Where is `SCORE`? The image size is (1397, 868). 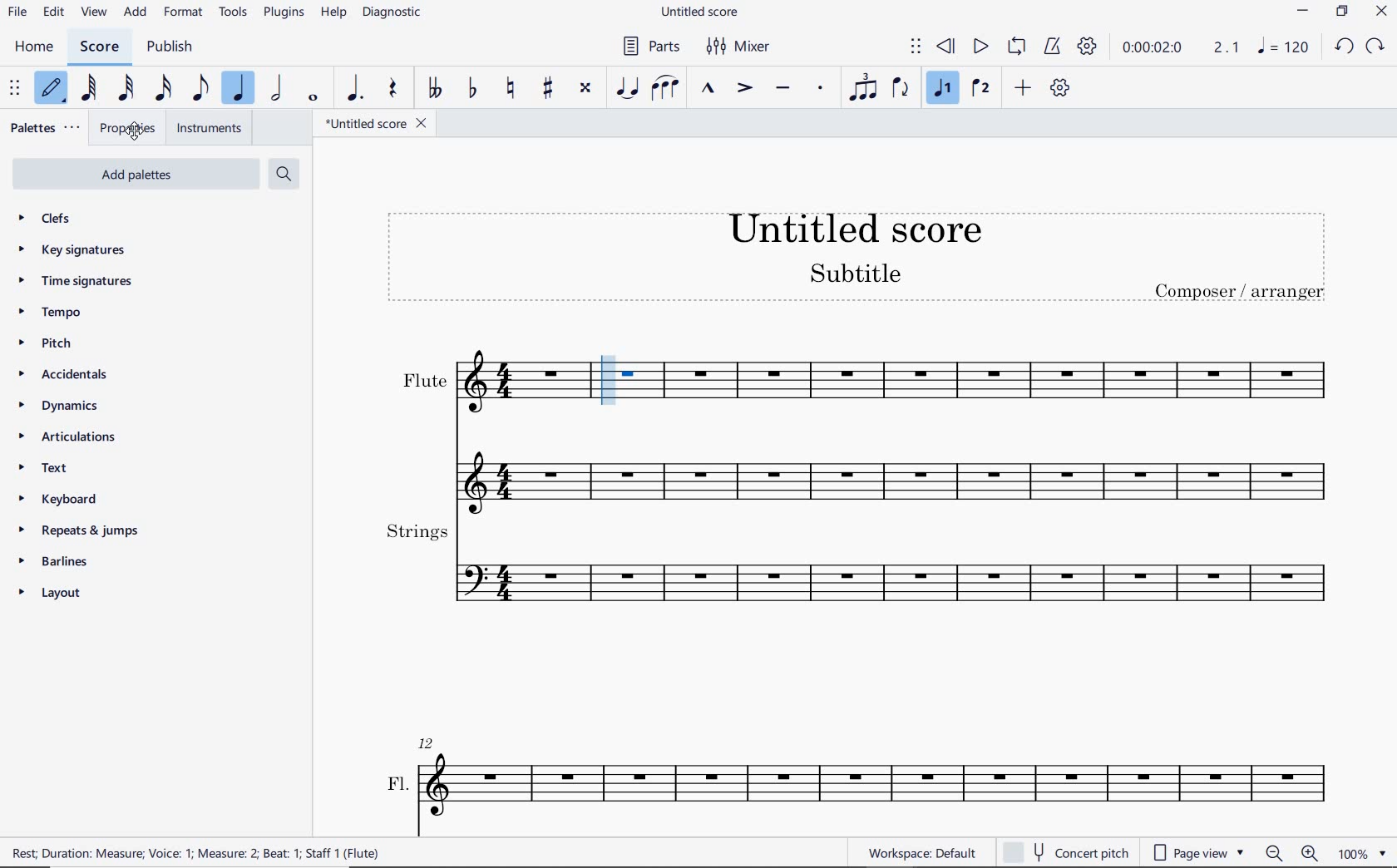 SCORE is located at coordinates (101, 46).